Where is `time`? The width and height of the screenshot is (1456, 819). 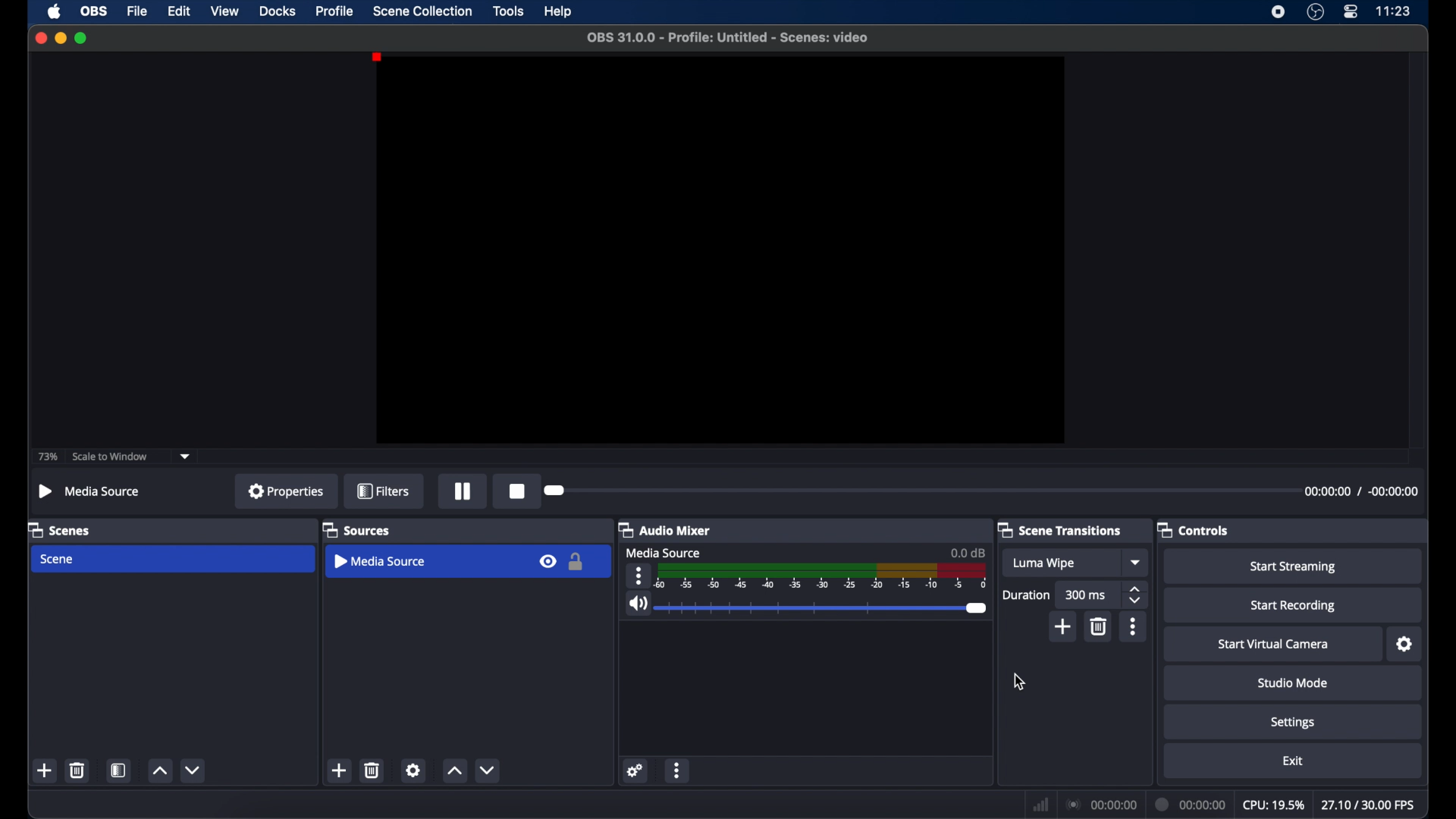
time is located at coordinates (1394, 10).